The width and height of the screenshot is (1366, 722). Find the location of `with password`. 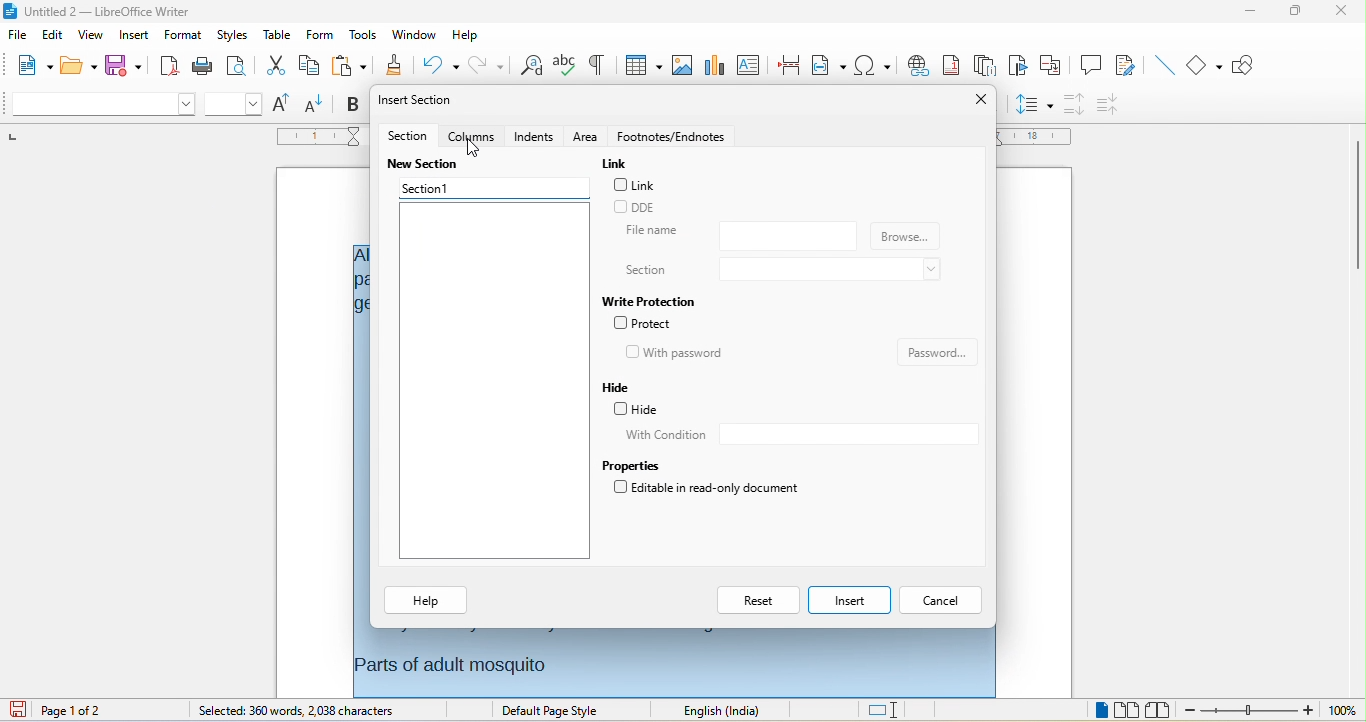

with password is located at coordinates (676, 353).